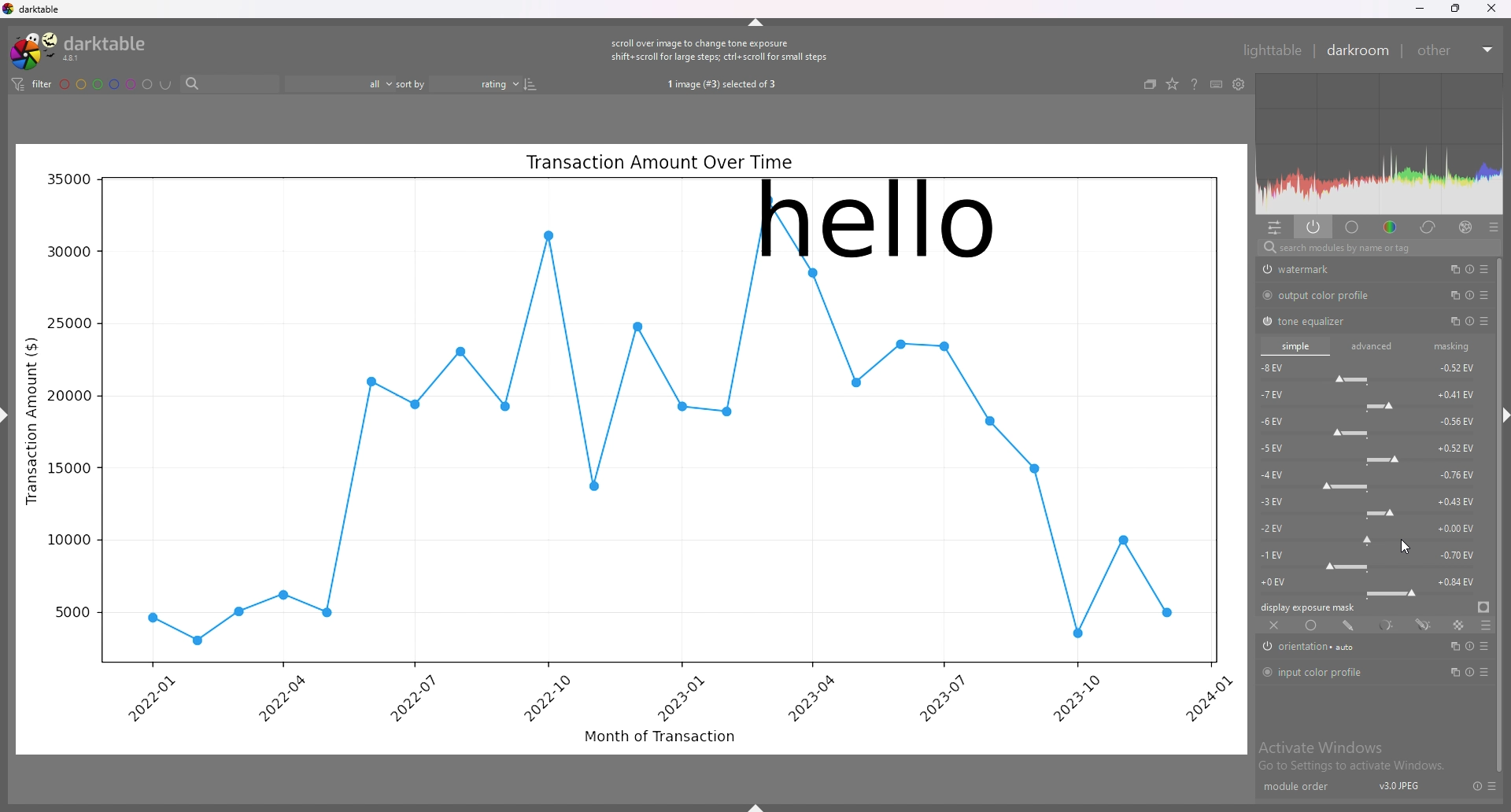  I want to click on 2023-10, so click(1084, 699).